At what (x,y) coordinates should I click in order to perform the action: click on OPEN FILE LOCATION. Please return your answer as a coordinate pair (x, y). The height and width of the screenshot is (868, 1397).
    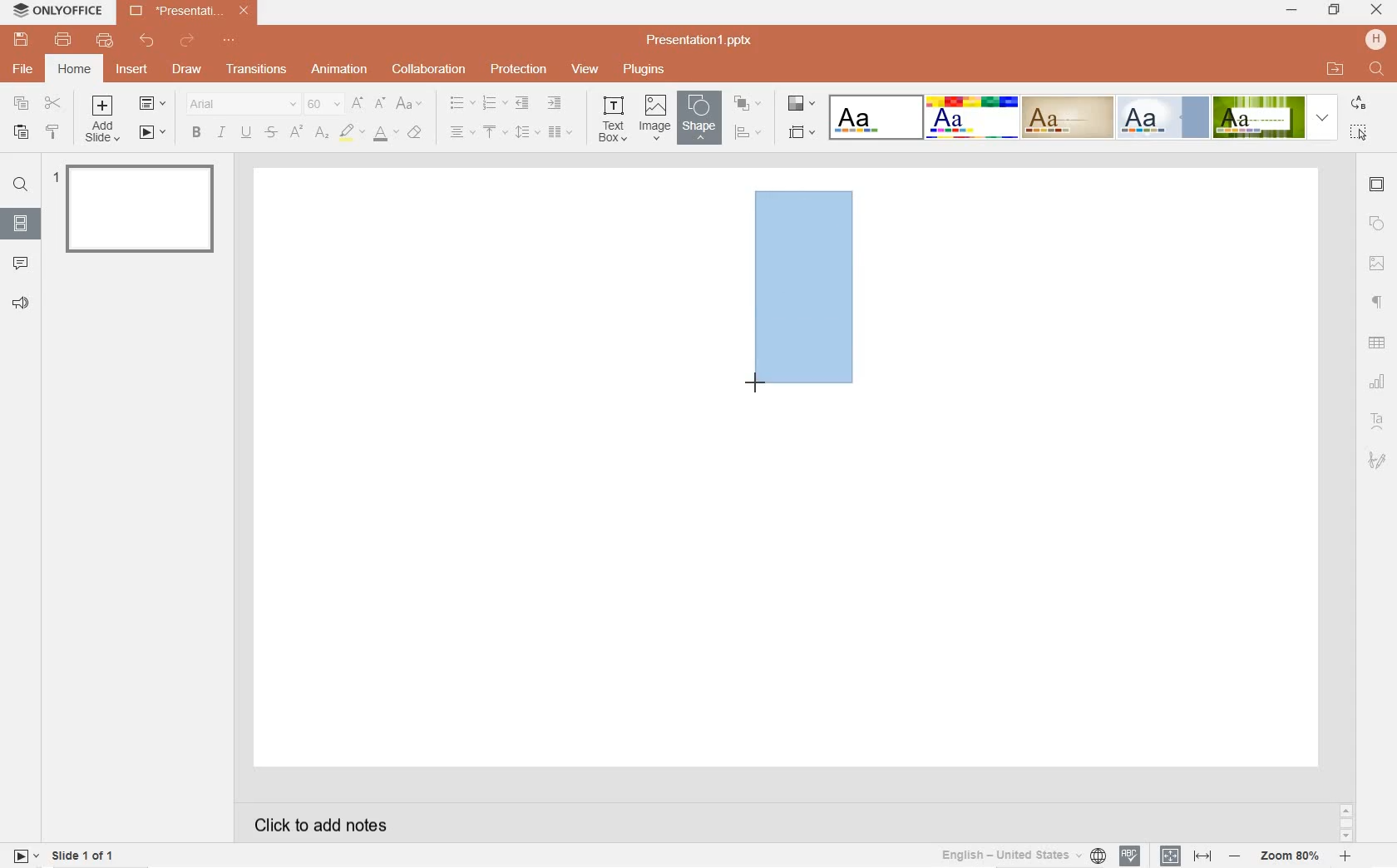
    Looking at the image, I should click on (1336, 69).